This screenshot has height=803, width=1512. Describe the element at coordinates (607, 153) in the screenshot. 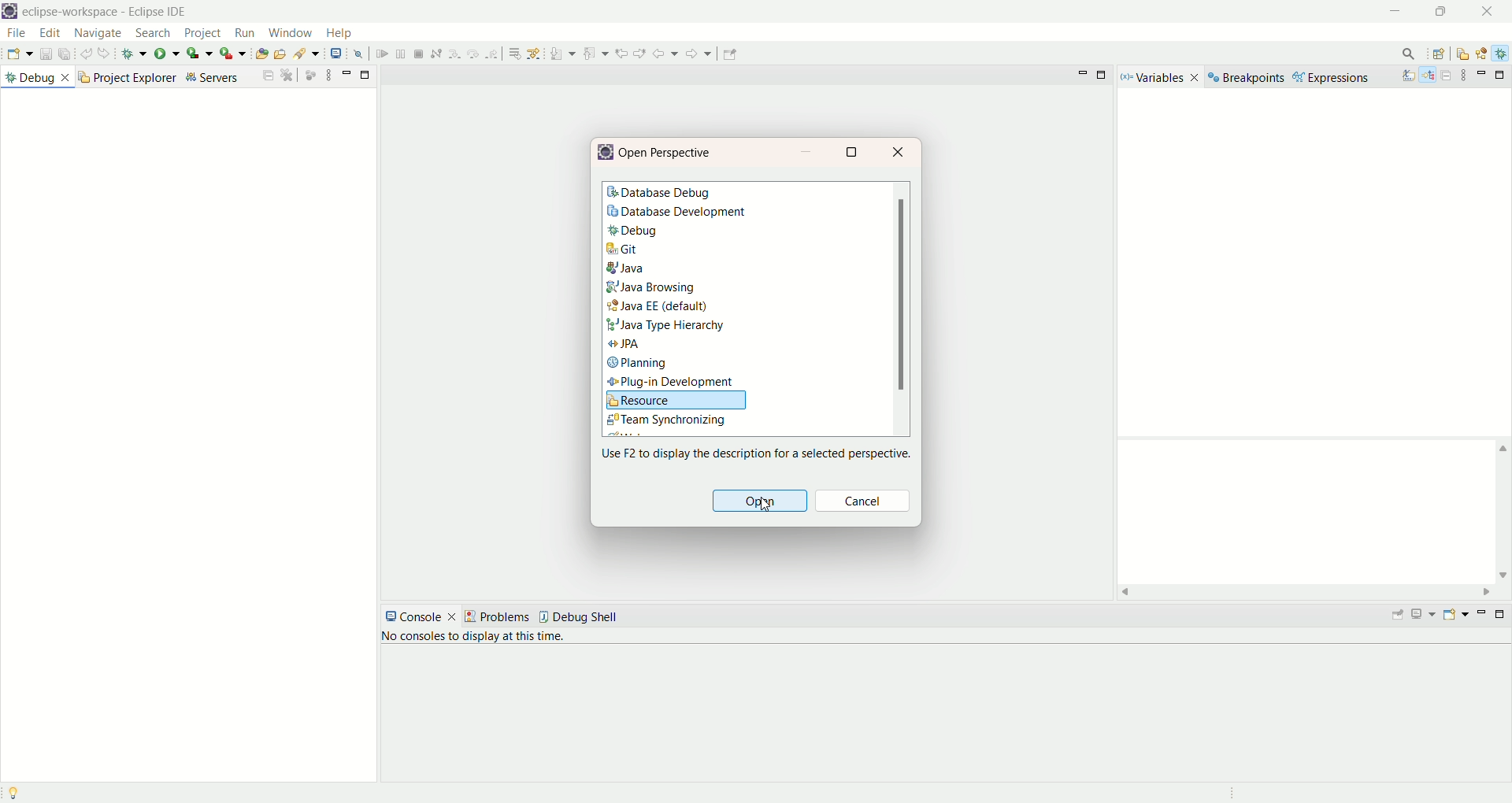

I see `logo` at that location.